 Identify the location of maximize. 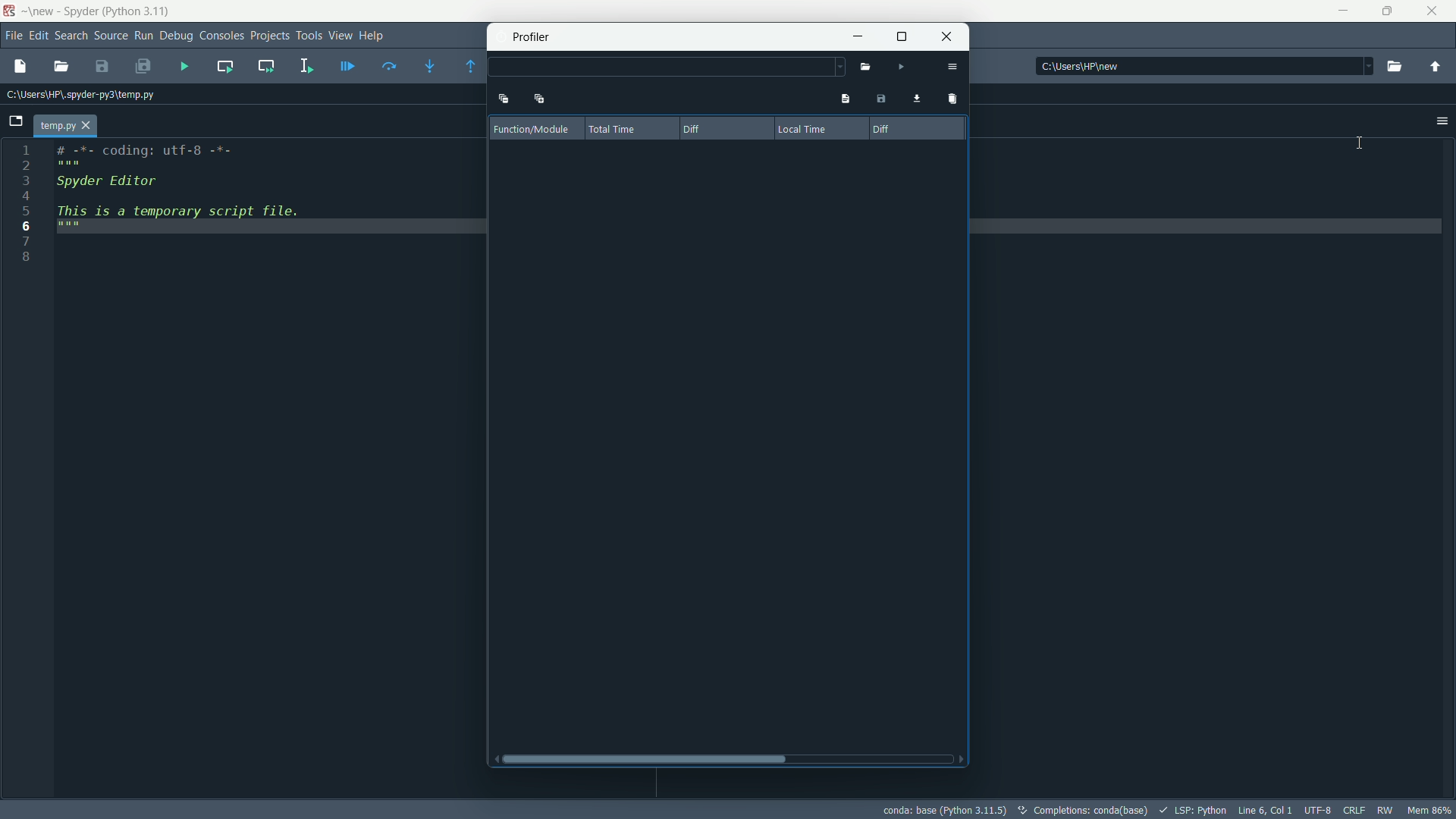
(903, 37).